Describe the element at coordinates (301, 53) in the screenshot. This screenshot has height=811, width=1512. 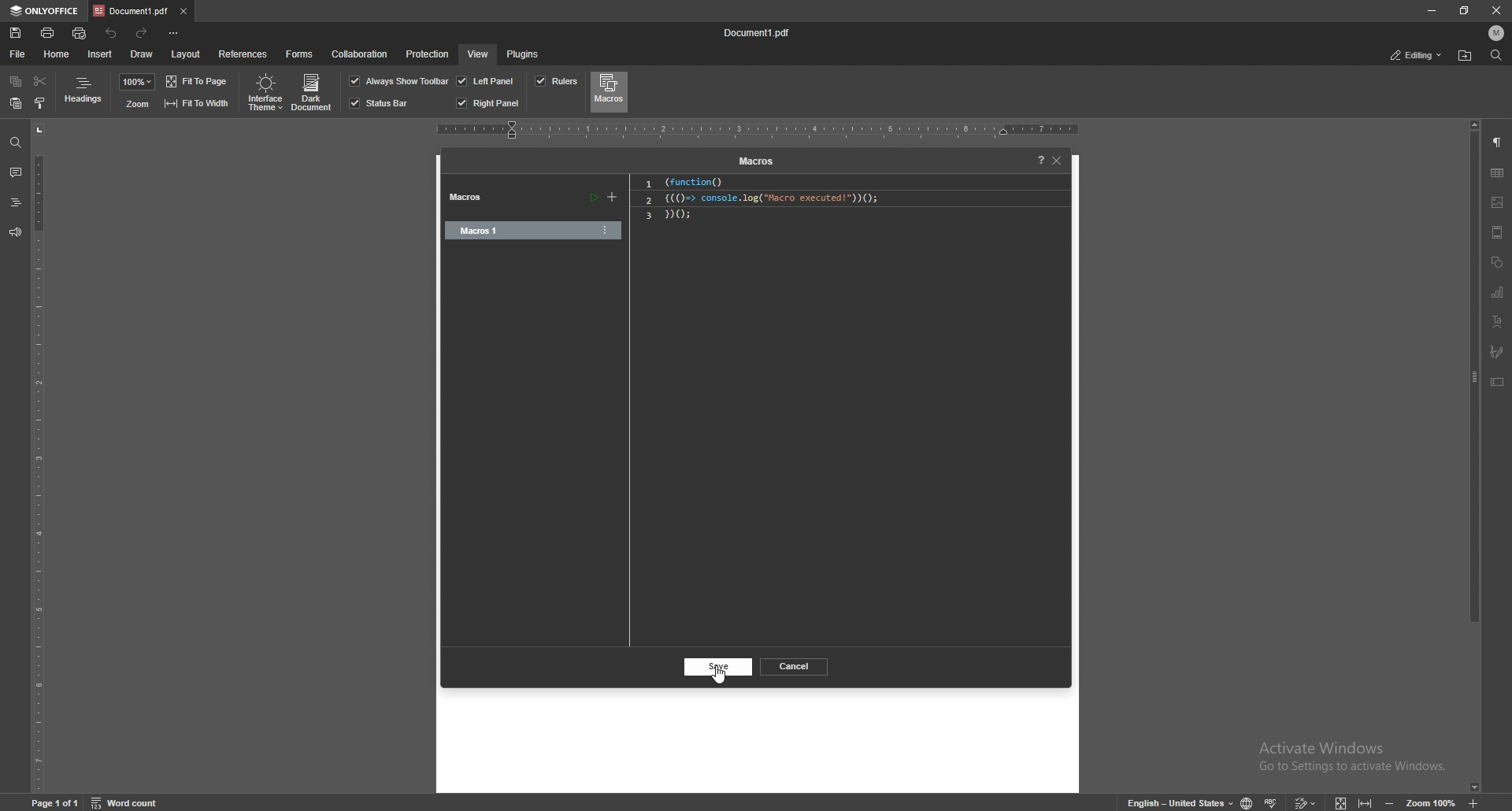
I see `forms` at that location.